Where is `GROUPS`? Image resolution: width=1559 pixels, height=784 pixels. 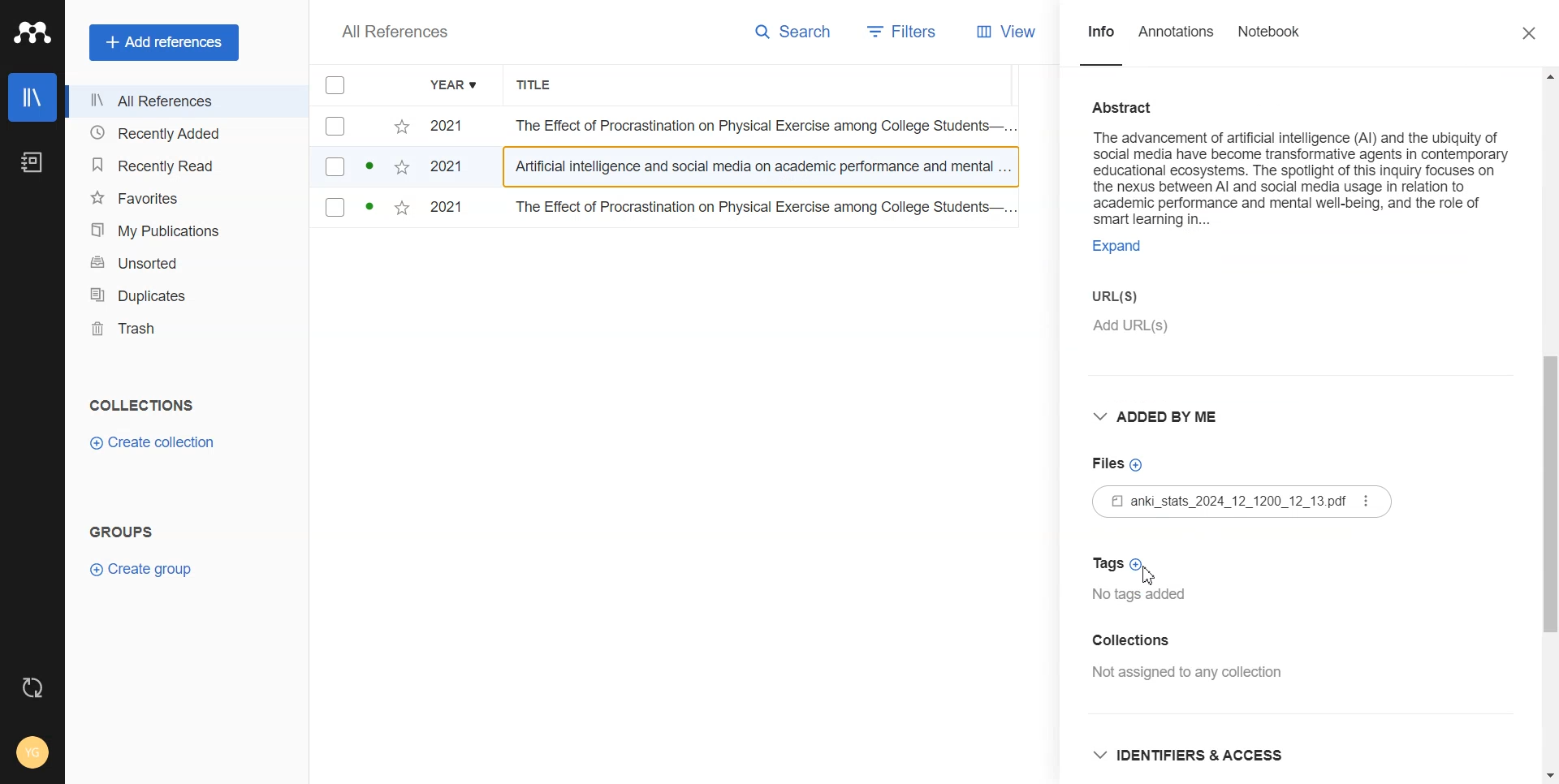
GROUPS is located at coordinates (120, 530).